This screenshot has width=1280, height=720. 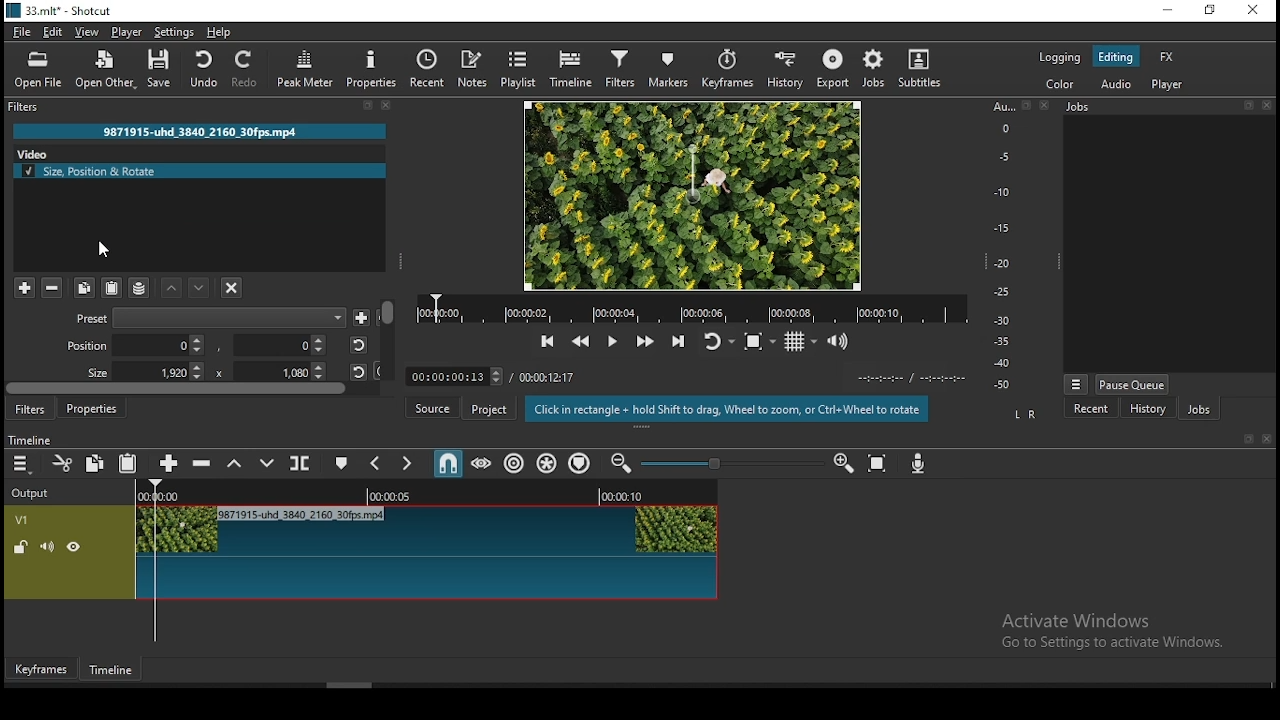 What do you see at coordinates (171, 288) in the screenshot?
I see `move filter up` at bounding box center [171, 288].